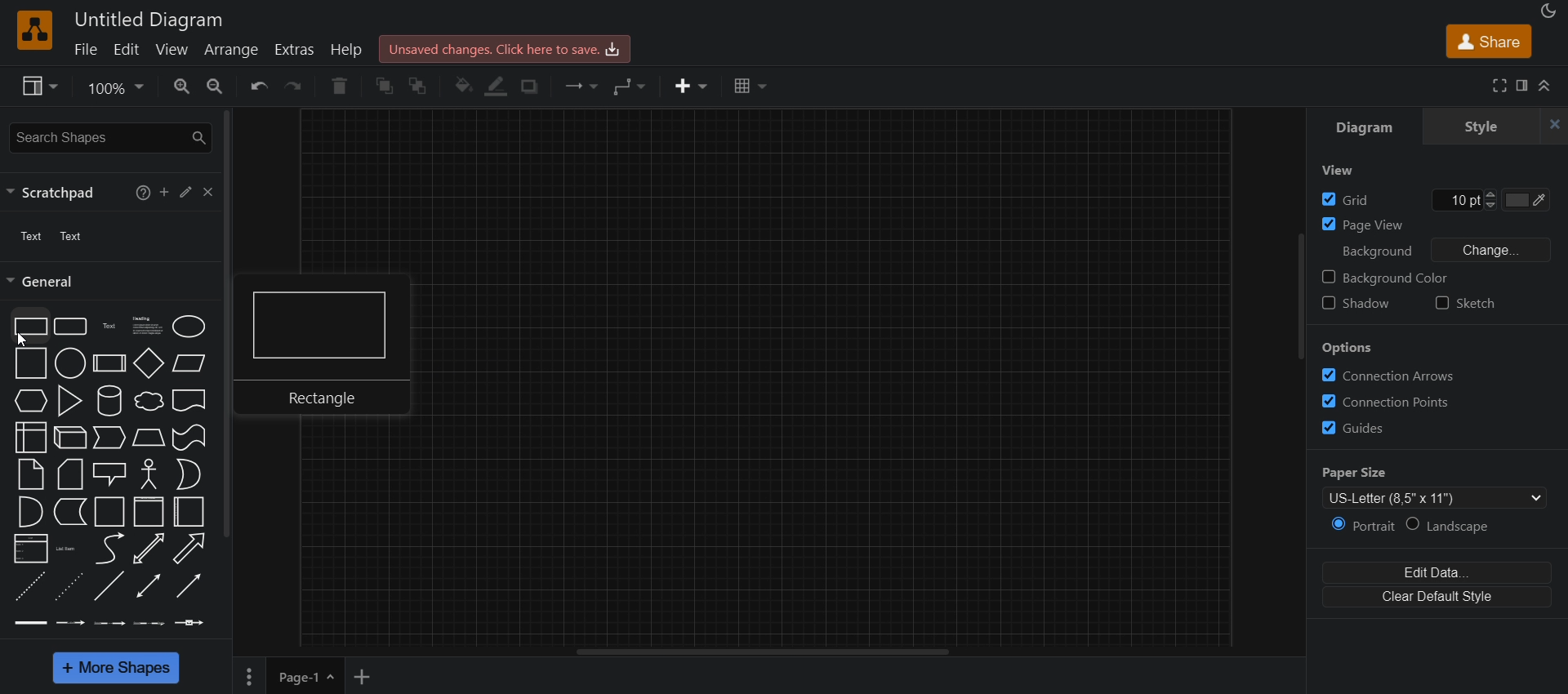 The width and height of the screenshot is (1568, 694). What do you see at coordinates (30, 438) in the screenshot?
I see `internal storage` at bounding box center [30, 438].